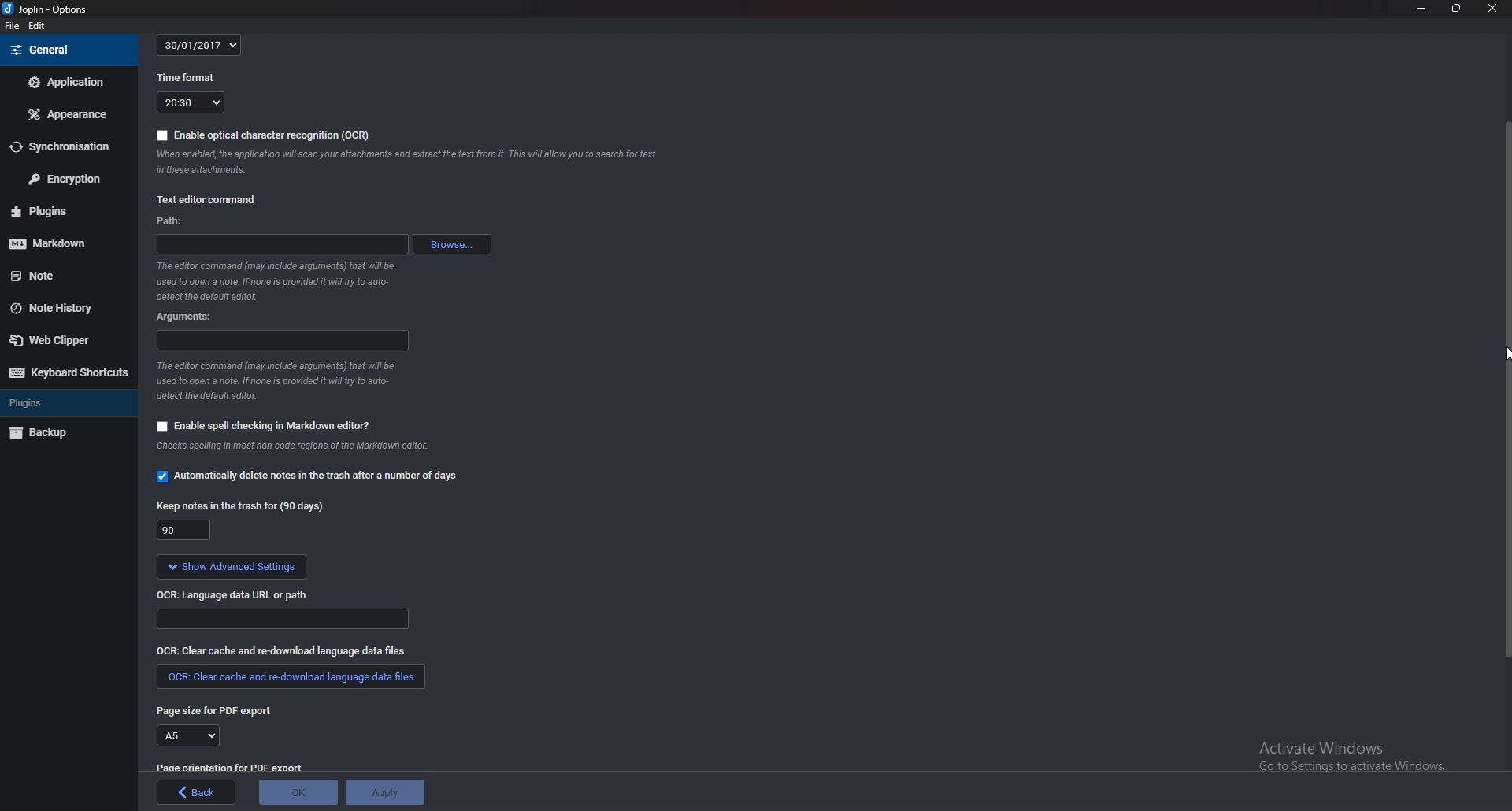 The width and height of the screenshot is (1512, 811). I want to click on A5, so click(190, 735).